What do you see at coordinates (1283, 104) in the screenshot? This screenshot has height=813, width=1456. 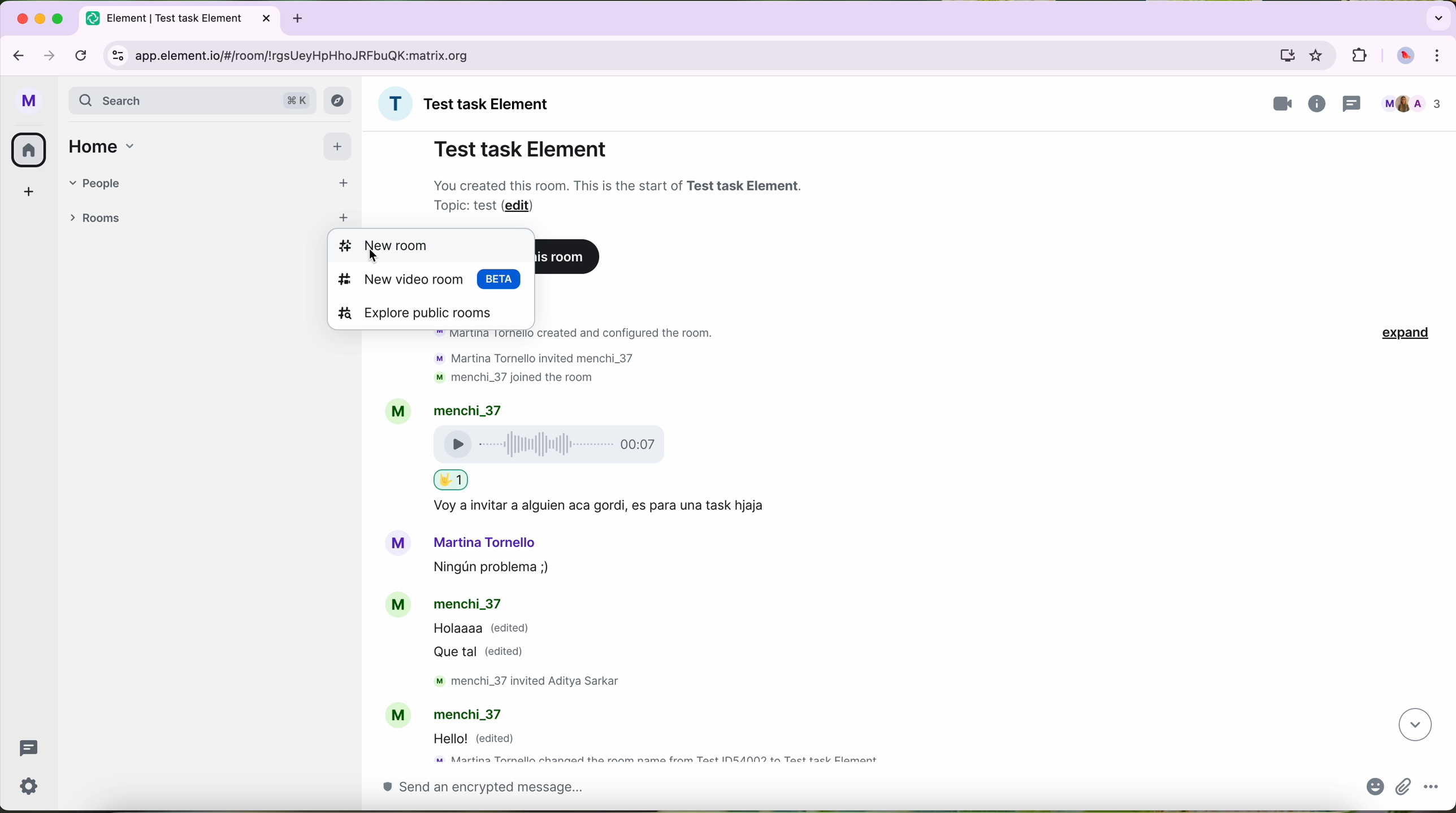 I see `videocall` at bounding box center [1283, 104].